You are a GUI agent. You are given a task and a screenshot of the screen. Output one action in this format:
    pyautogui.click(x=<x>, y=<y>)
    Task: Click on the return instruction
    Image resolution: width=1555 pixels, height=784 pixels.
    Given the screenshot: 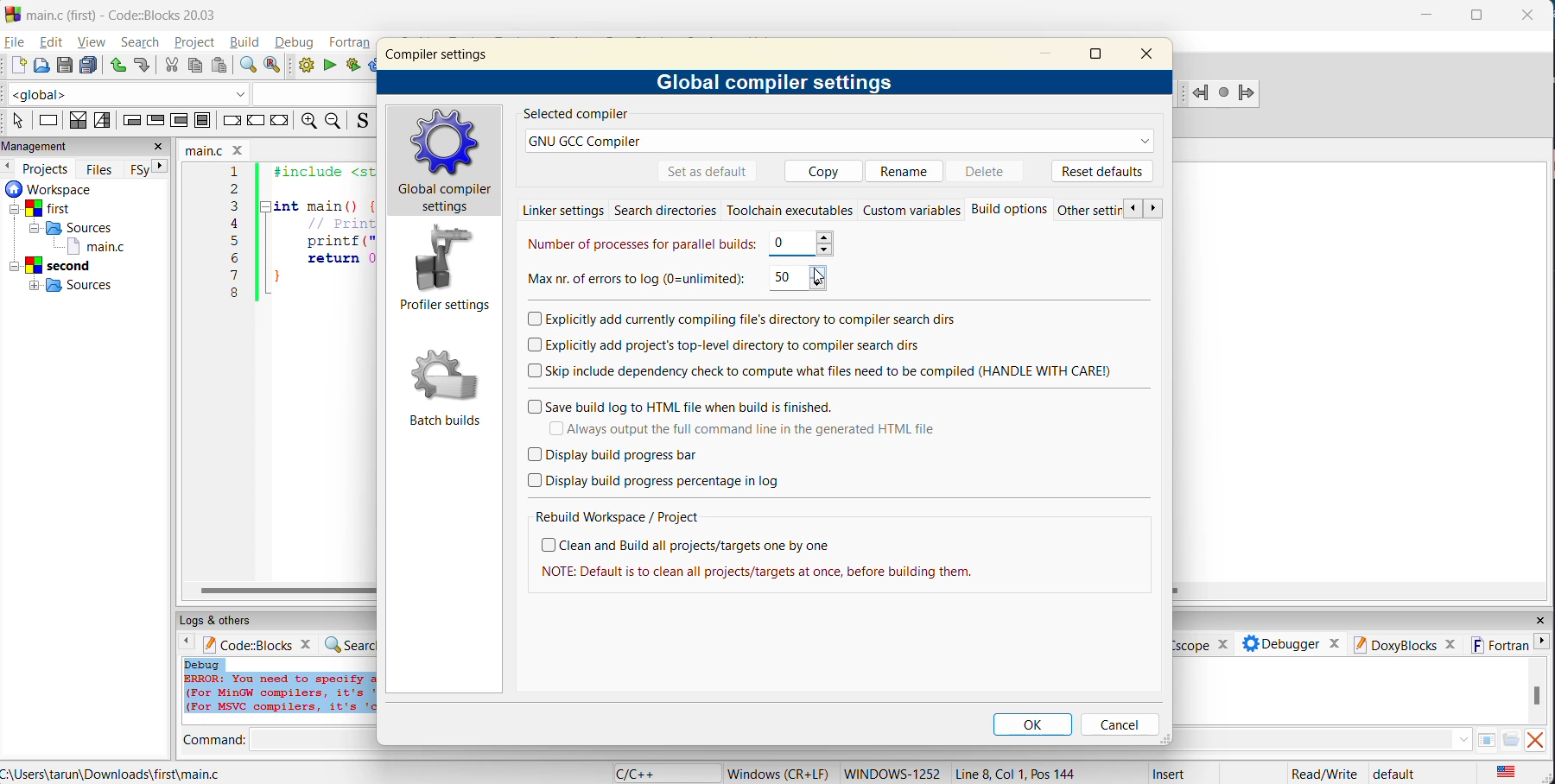 What is the action you would take?
    pyautogui.click(x=280, y=120)
    